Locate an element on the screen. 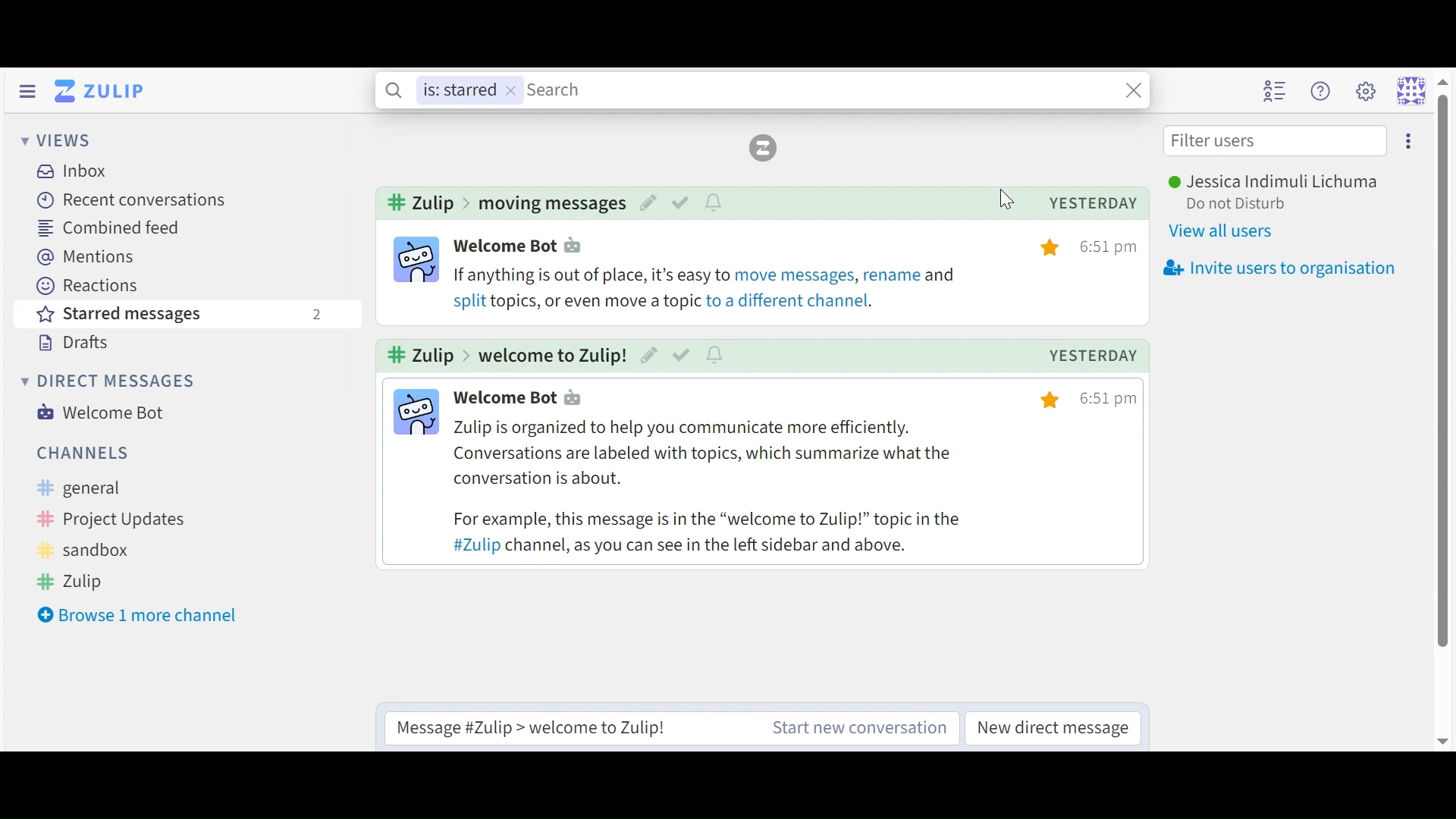 This screenshot has height=819, width=1456. Down is located at coordinates (1435, 735).